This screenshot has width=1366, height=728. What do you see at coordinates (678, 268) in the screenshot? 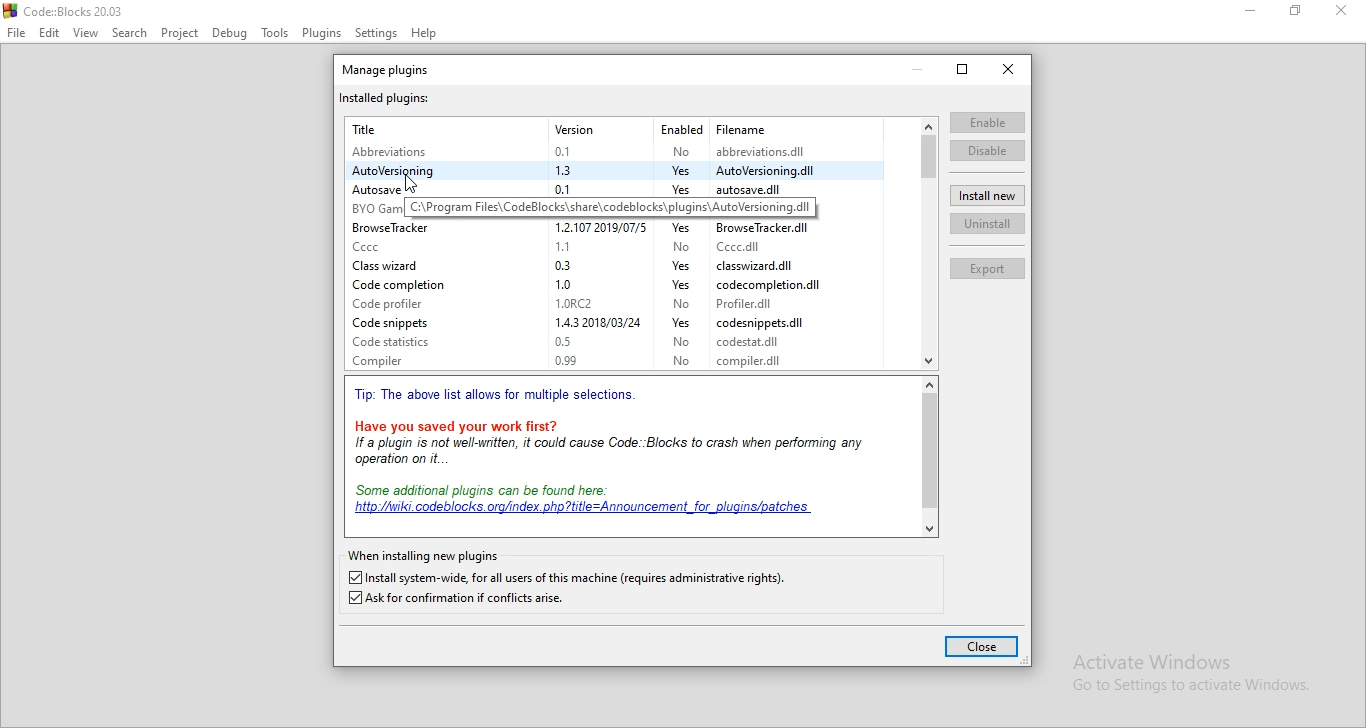
I see `yes` at bounding box center [678, 268].